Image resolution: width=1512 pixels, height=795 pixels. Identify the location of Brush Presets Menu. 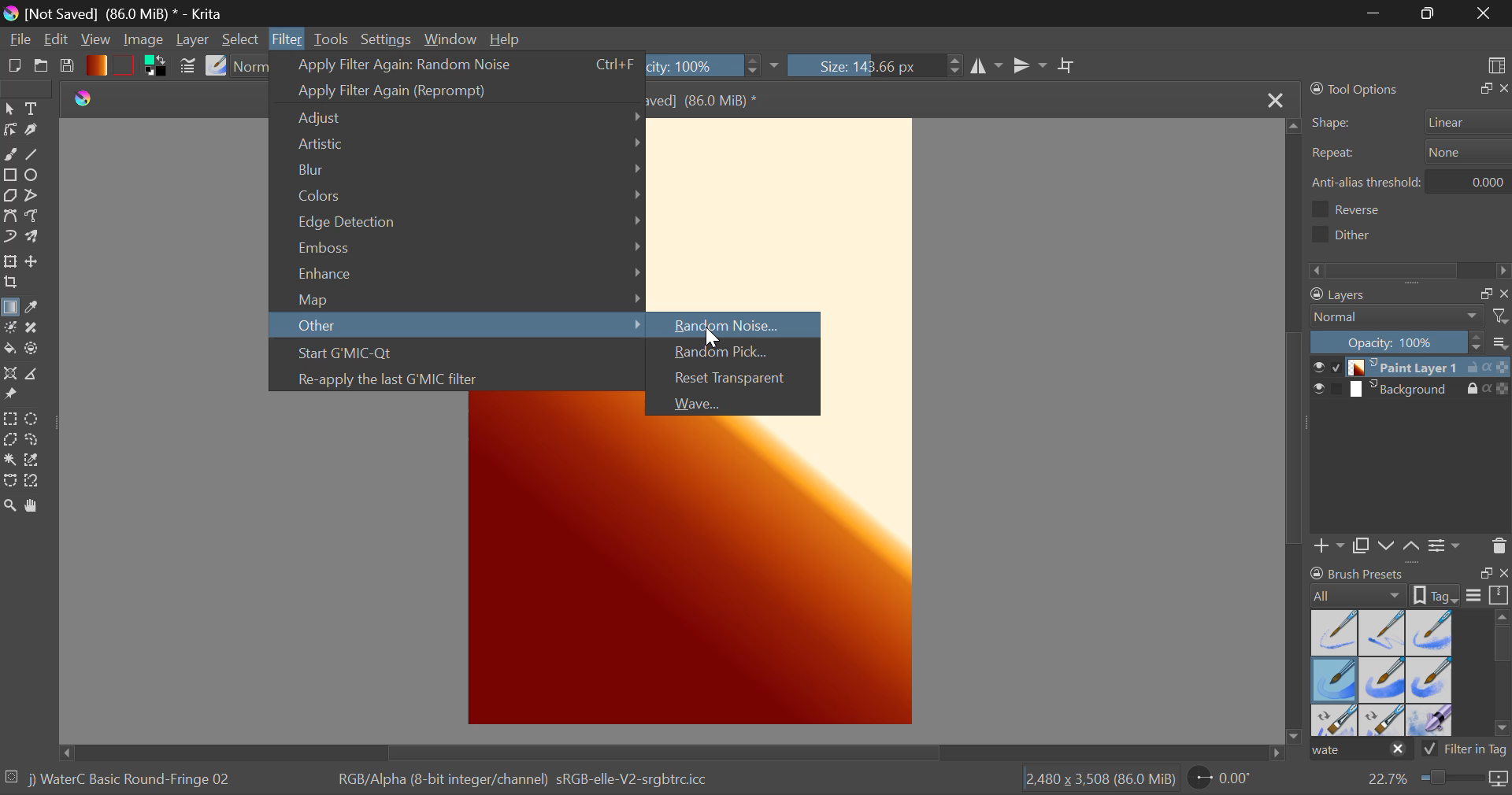
(1381, 671).